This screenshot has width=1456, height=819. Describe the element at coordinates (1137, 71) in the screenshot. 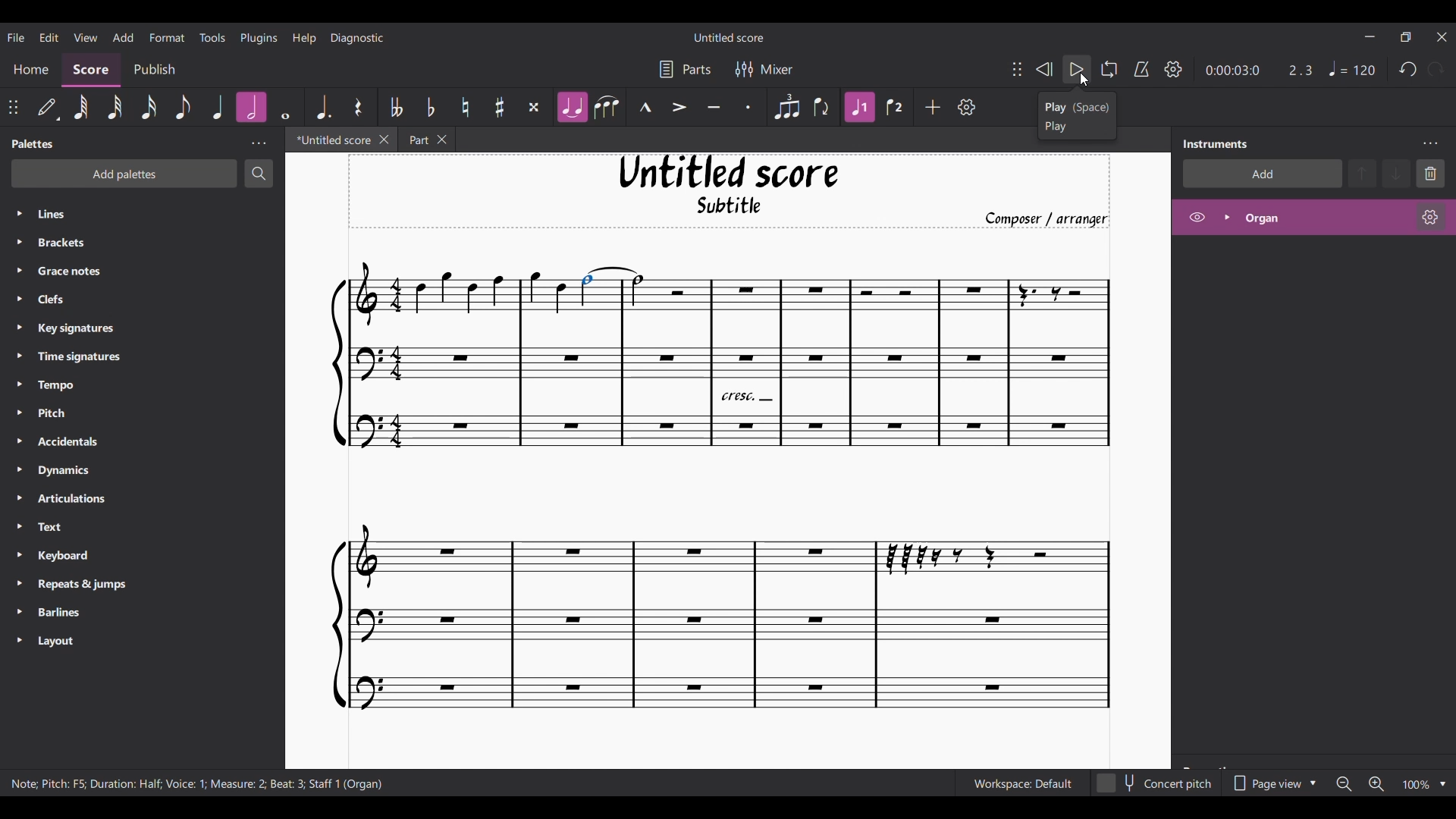

I see `Current duration and ratio` at that location.